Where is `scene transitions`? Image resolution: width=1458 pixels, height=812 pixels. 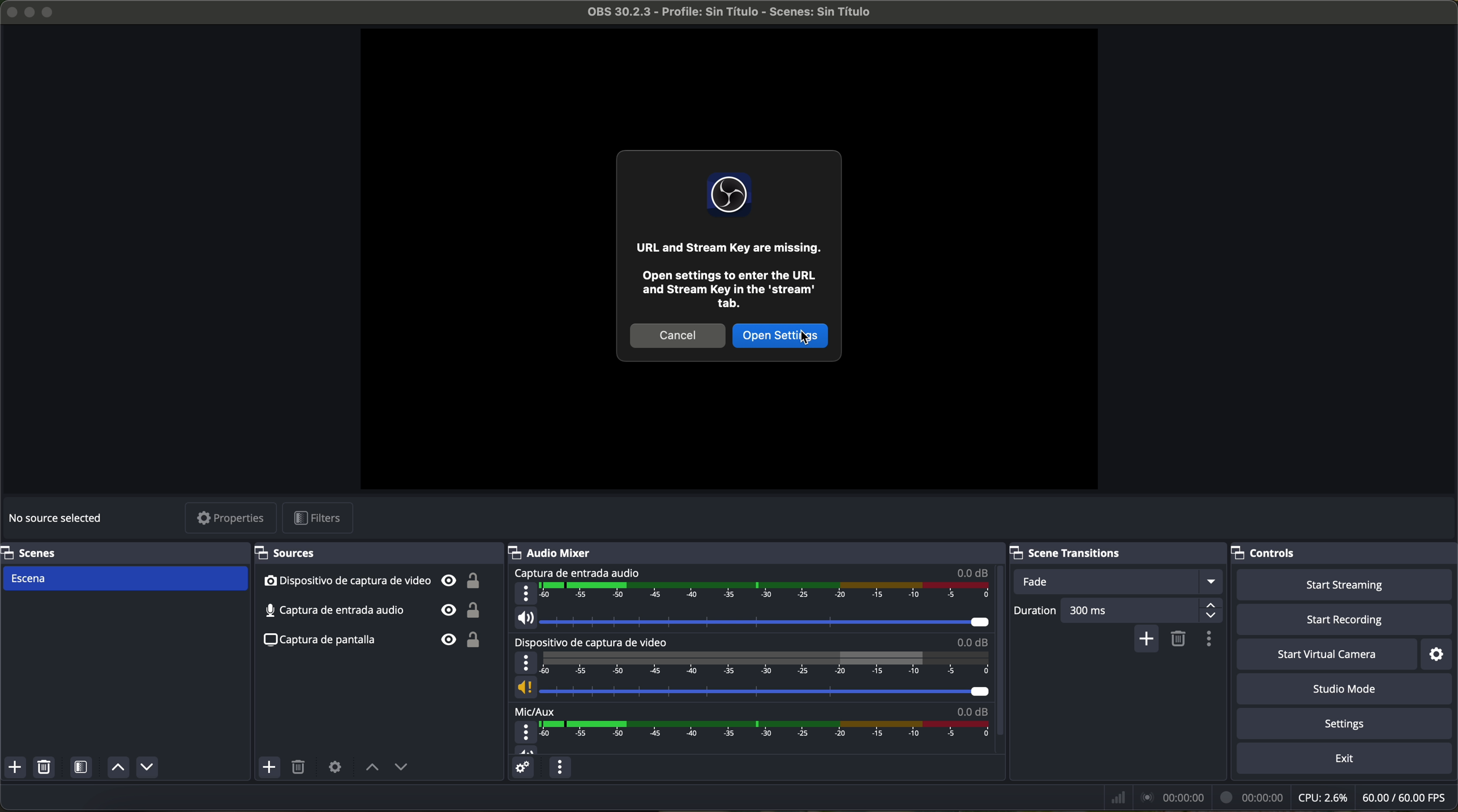
scene transitions is located at coordinates (1115, 553).